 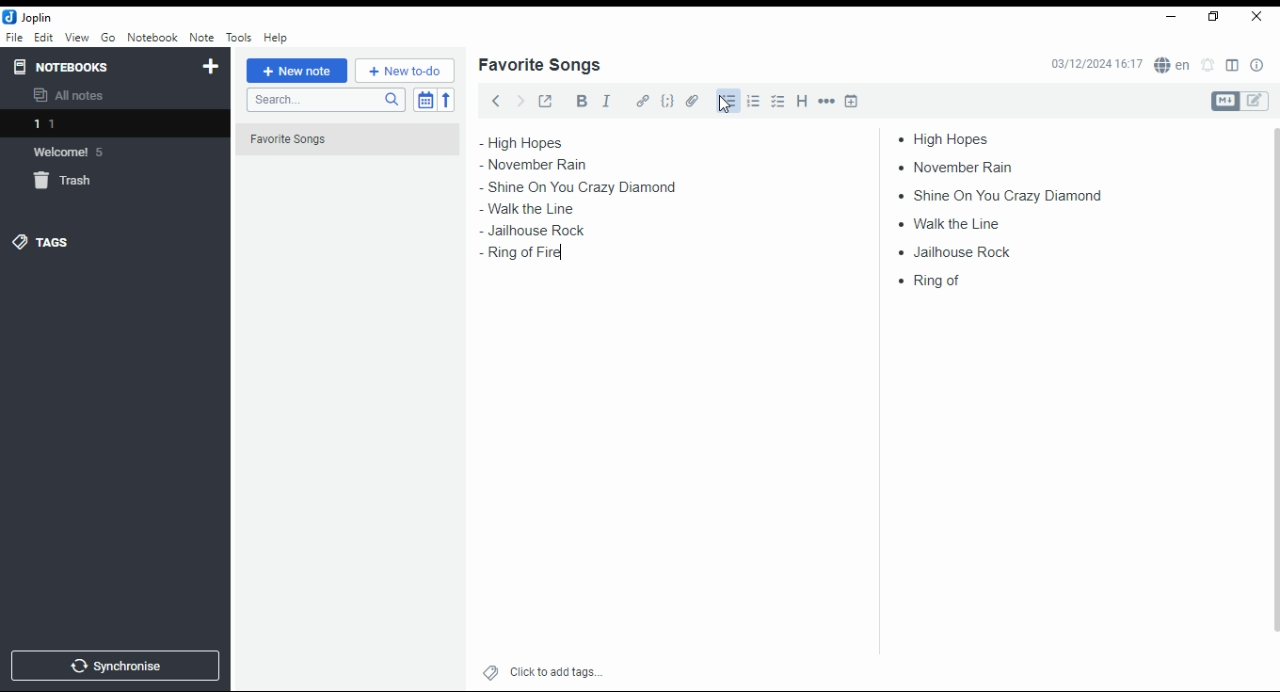 What do you see at coordinates (643, 100) in the screenshot?
I see `hyperlink` at bounding box center [643, 100].